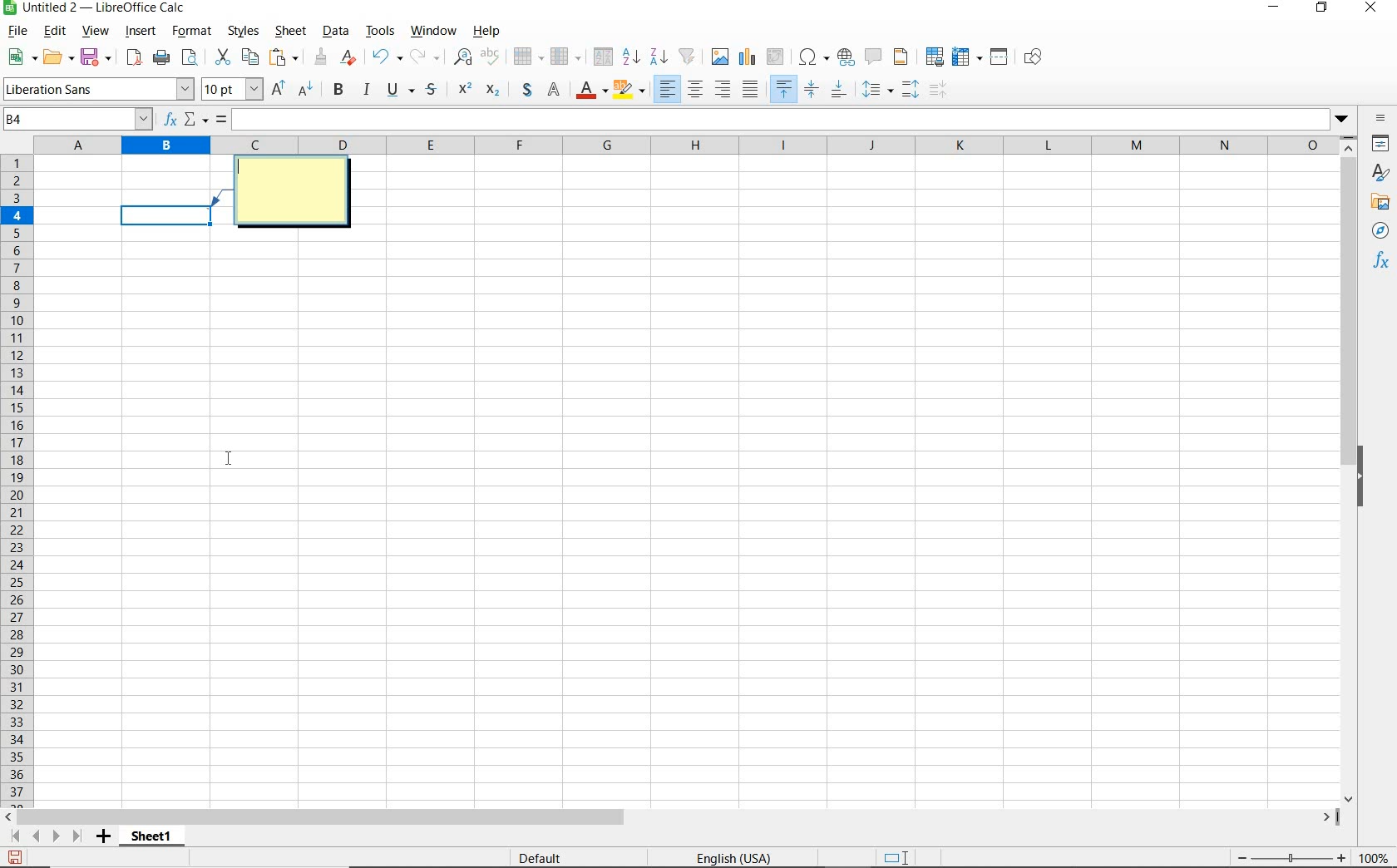 The height and width of the screenshot is (868, 1397). Describe the element at coordinates (1383, 259) in the screenshot. I see `functions` at that location.